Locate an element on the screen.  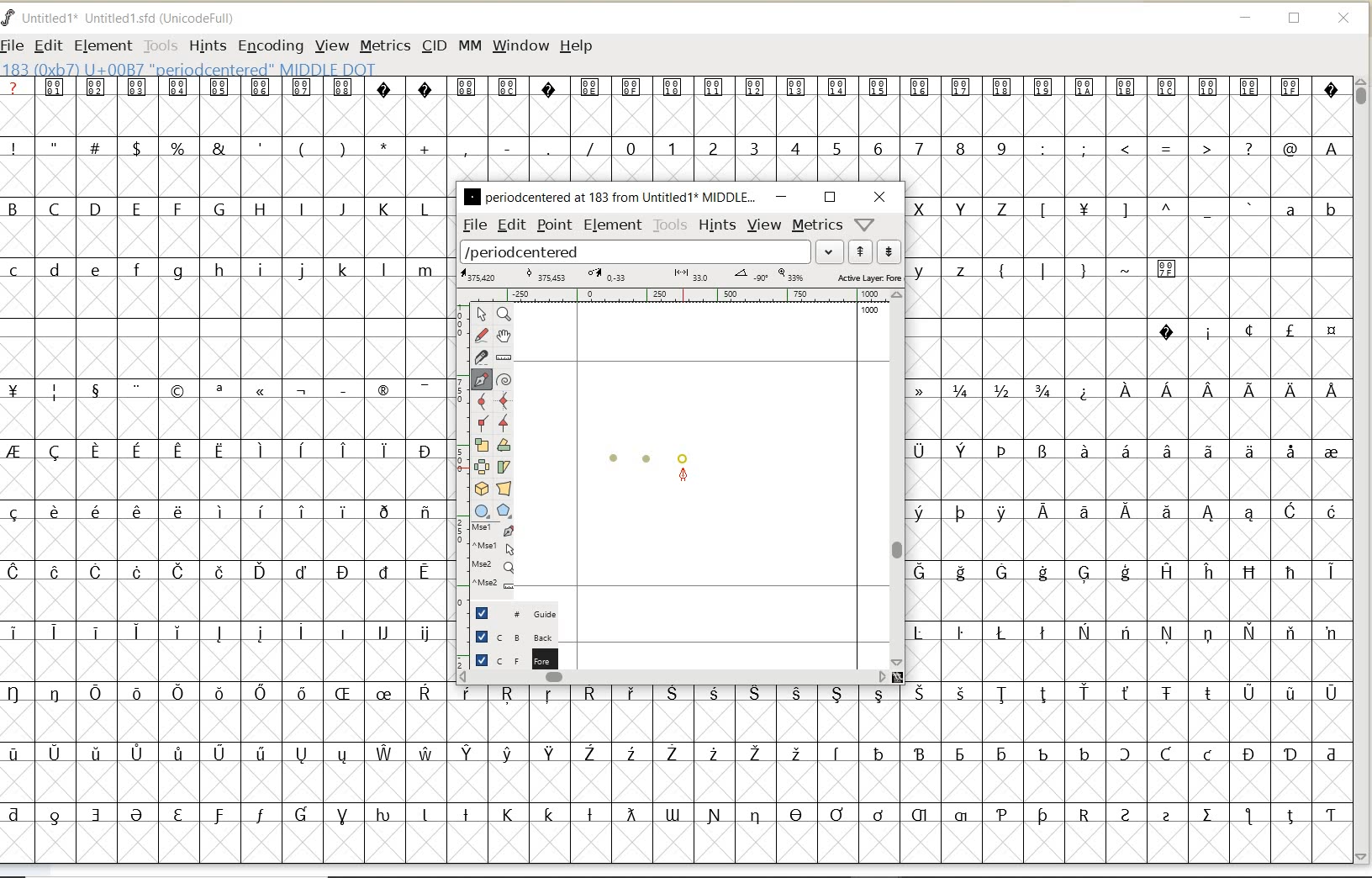
dot is located at coordinates (646, 458).